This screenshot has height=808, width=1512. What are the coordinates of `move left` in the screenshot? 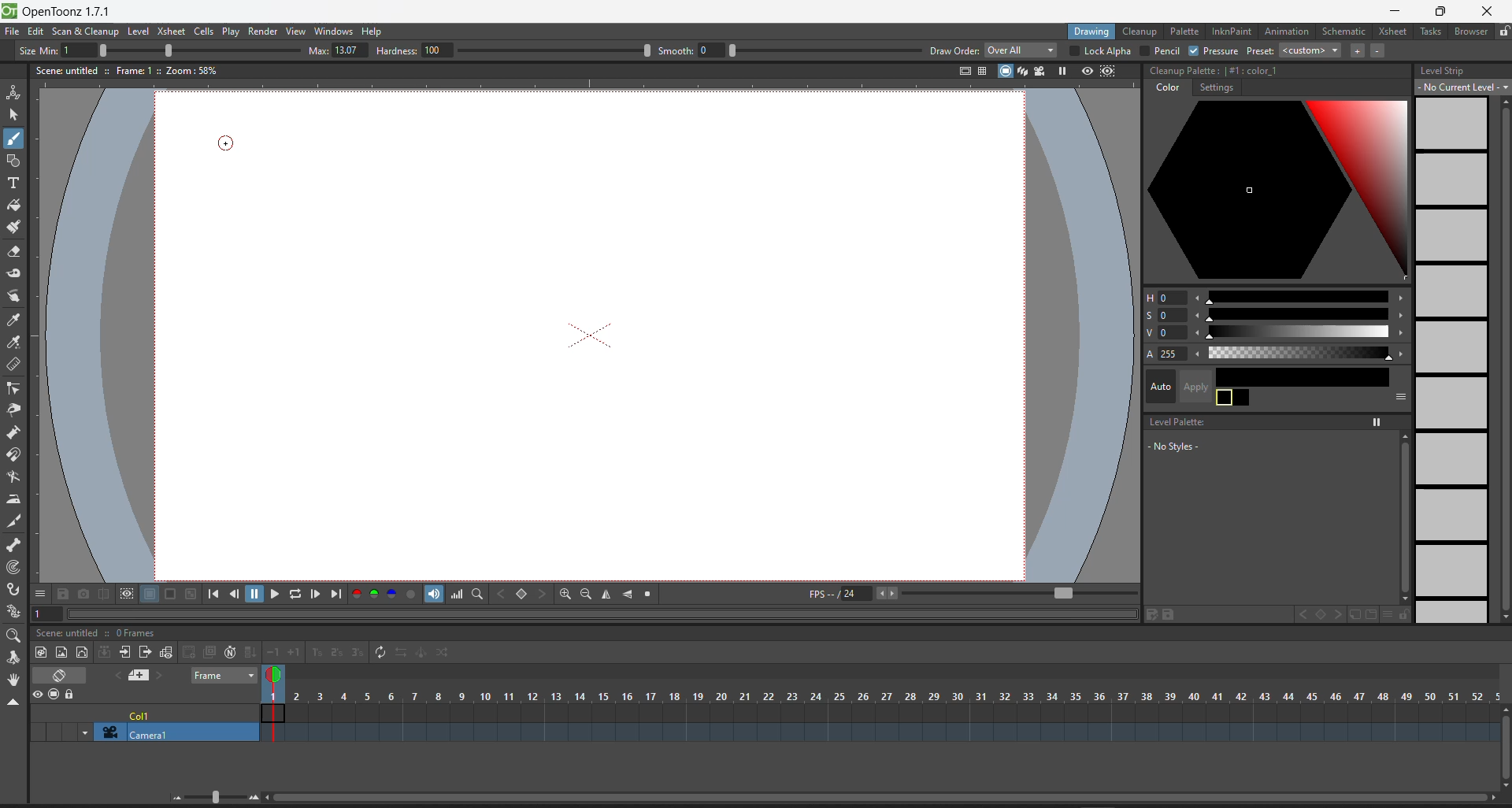 It's located at (1199, 315).